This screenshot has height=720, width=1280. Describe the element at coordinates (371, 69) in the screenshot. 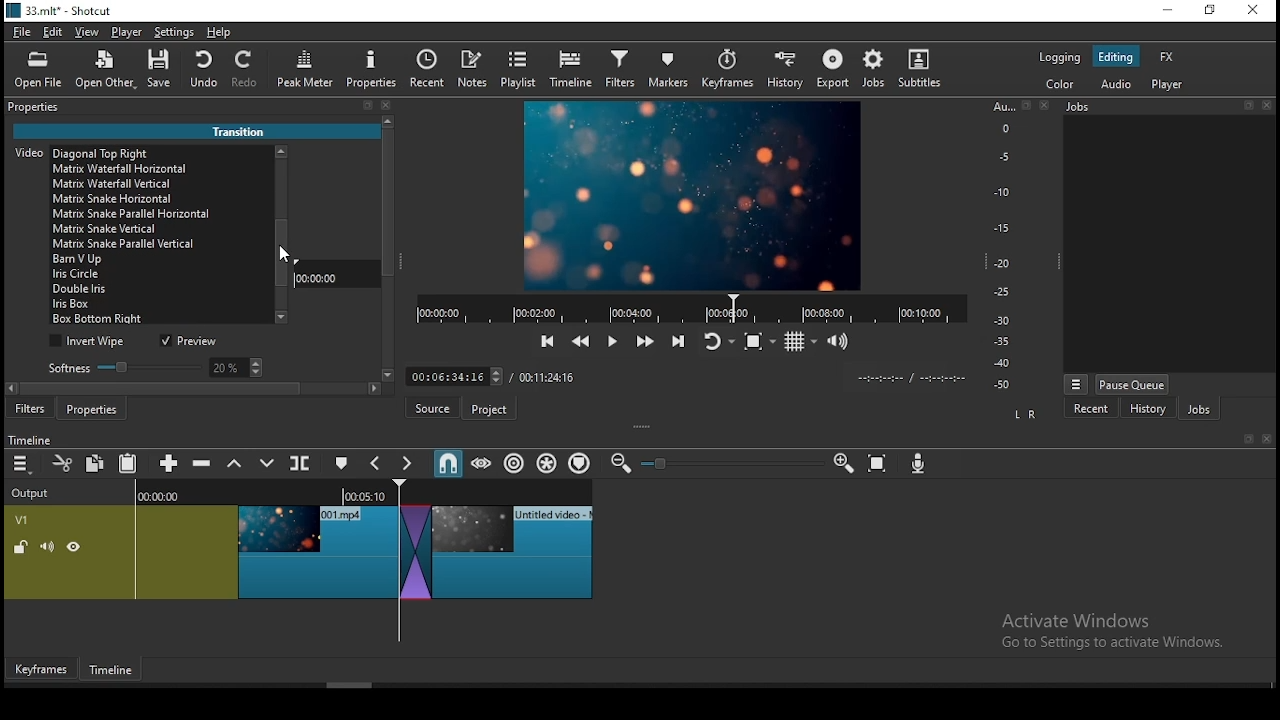

I see `properties` at that location.